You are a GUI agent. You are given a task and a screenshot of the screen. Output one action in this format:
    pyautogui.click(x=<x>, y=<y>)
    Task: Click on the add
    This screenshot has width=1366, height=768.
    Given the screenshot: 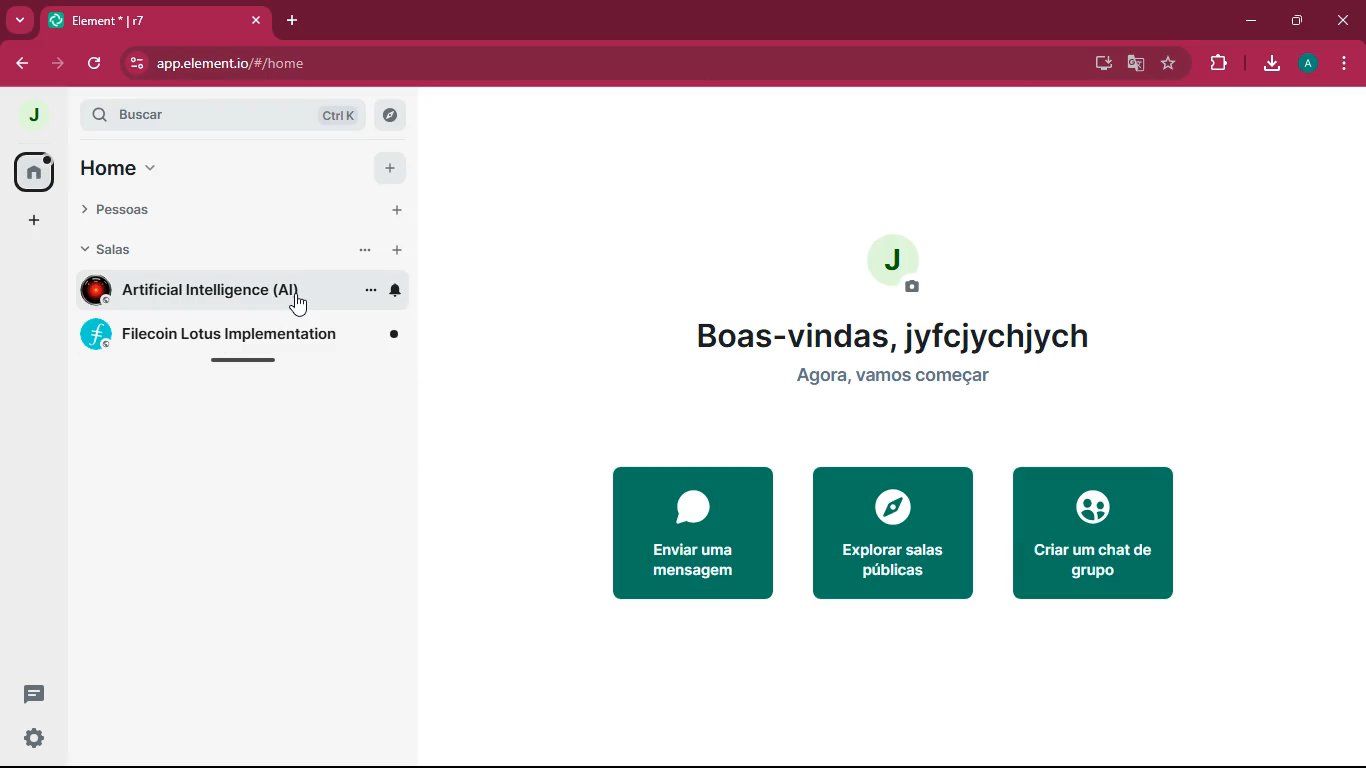 What is the action you would take?
    pyautogui.click(x=34, y=221)
    